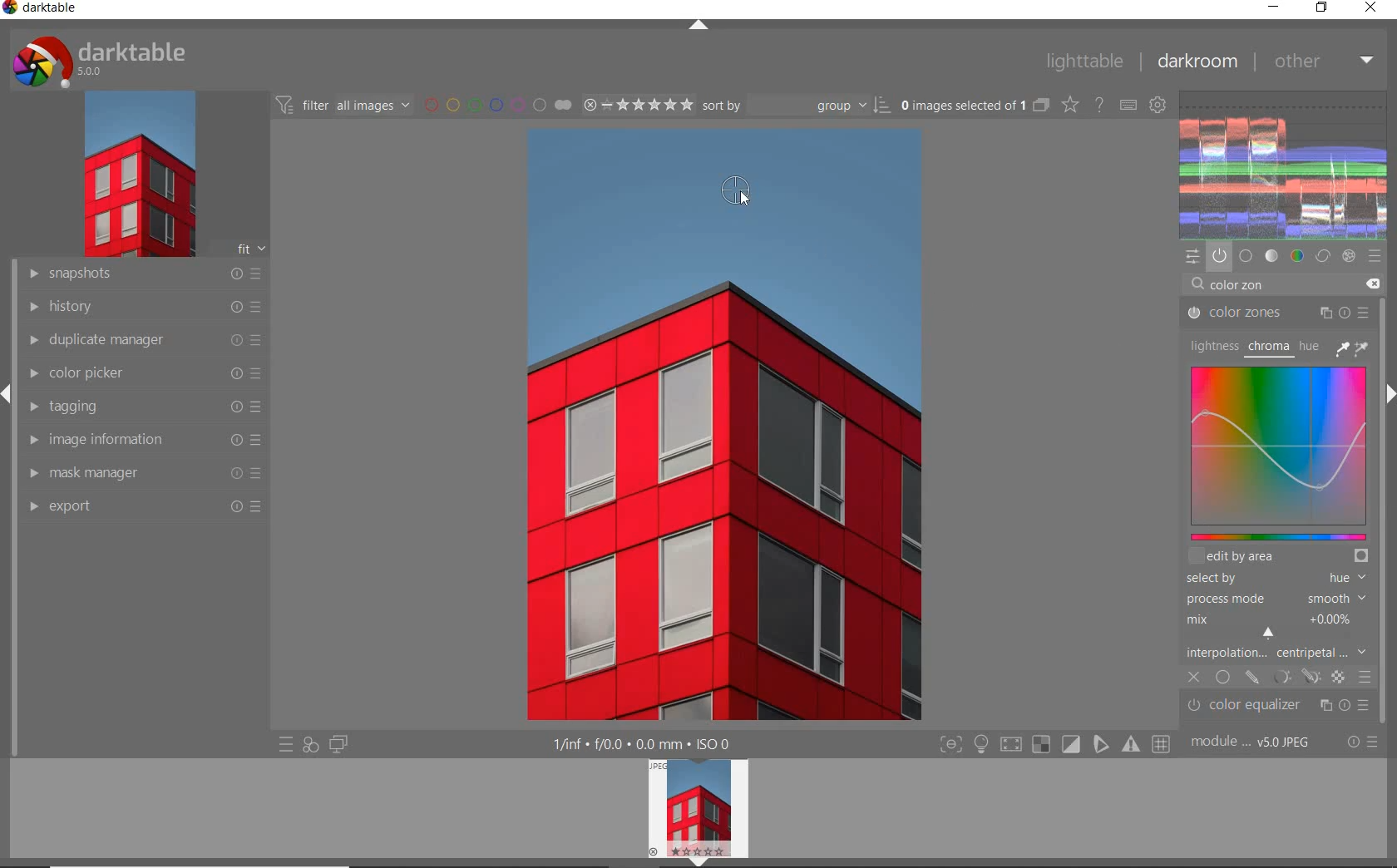 Image resolution: width=1397 pixels, height=868 pixels. Describe the element at coordinates (1362, 743) in the screenshot. I see `reset or presets & preferences` at that location.